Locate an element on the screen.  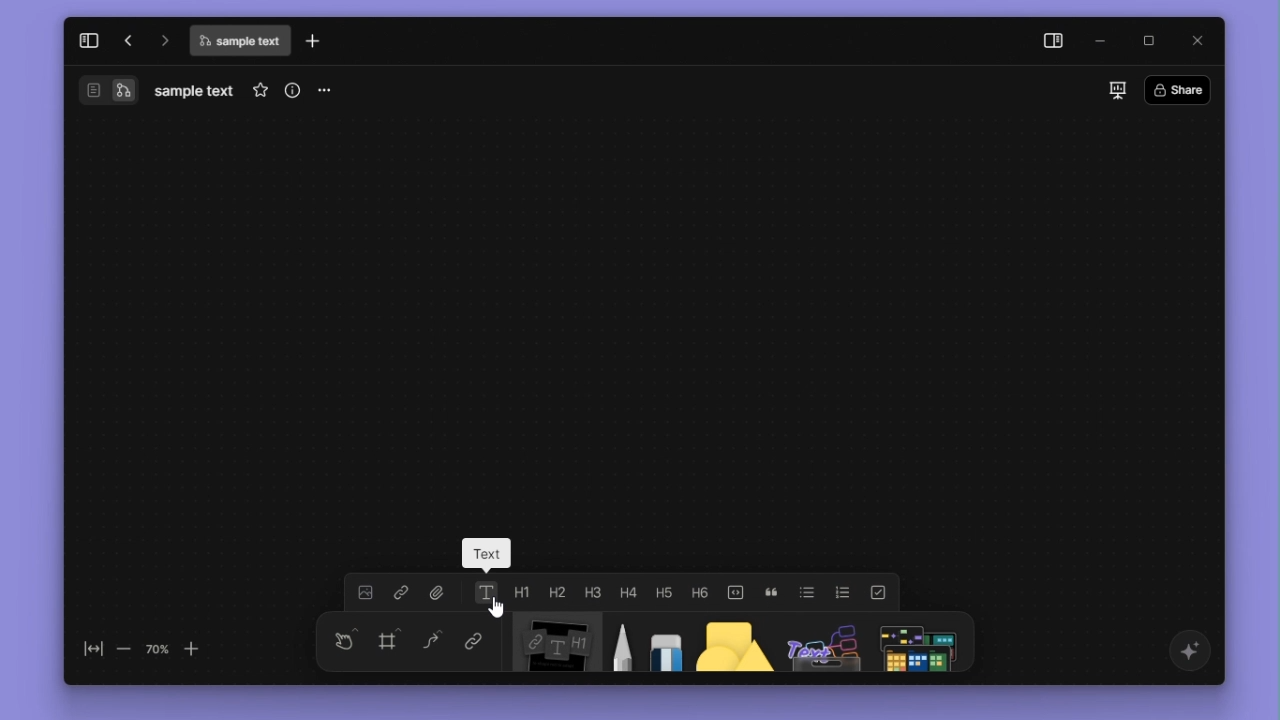
bulleted list is located at coordinates (808, 591).